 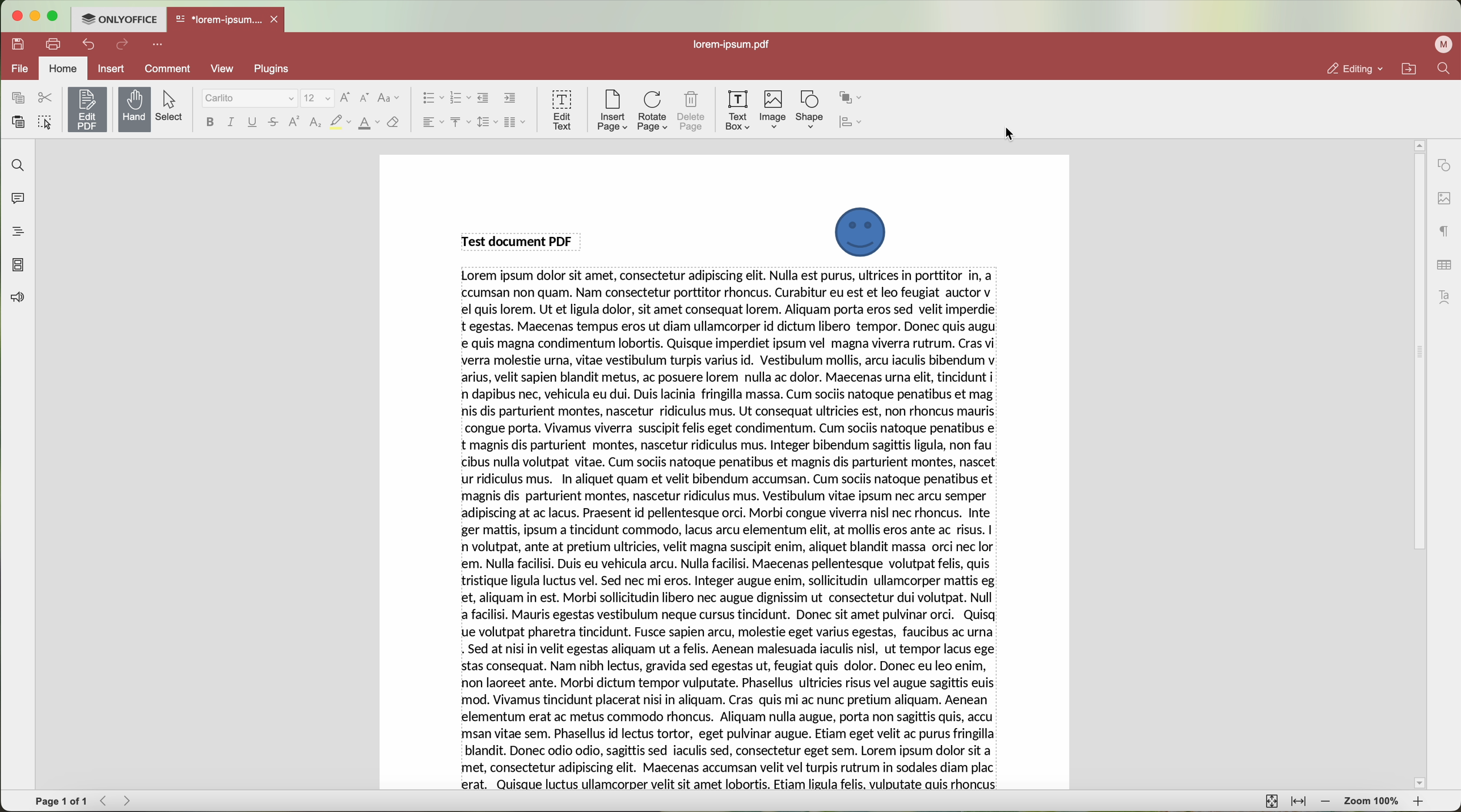 I want to click on vertical align, so click(x=458, y=122).